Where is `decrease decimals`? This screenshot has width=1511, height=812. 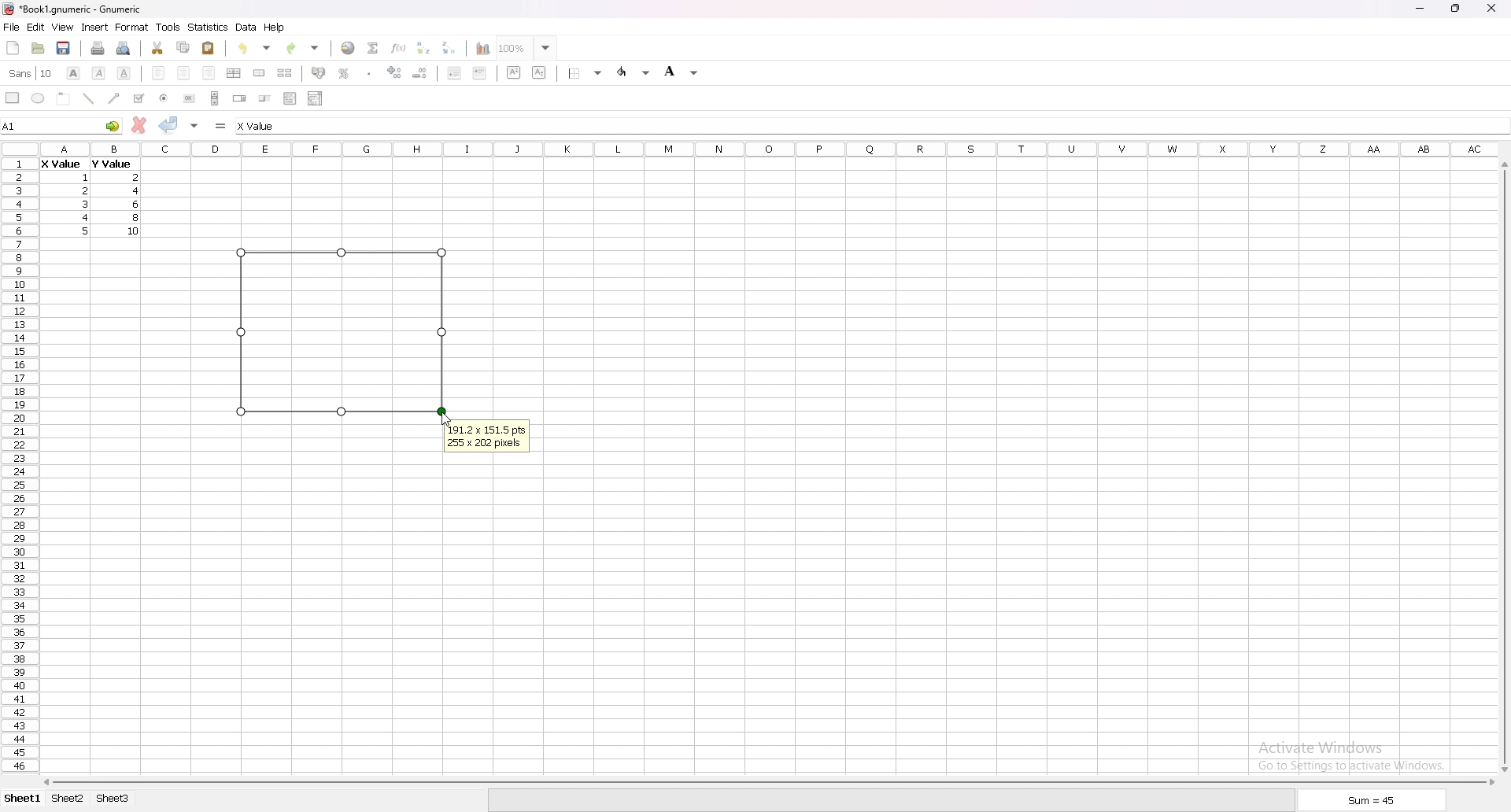 decrease decimals is located at coordinates (420, 73).